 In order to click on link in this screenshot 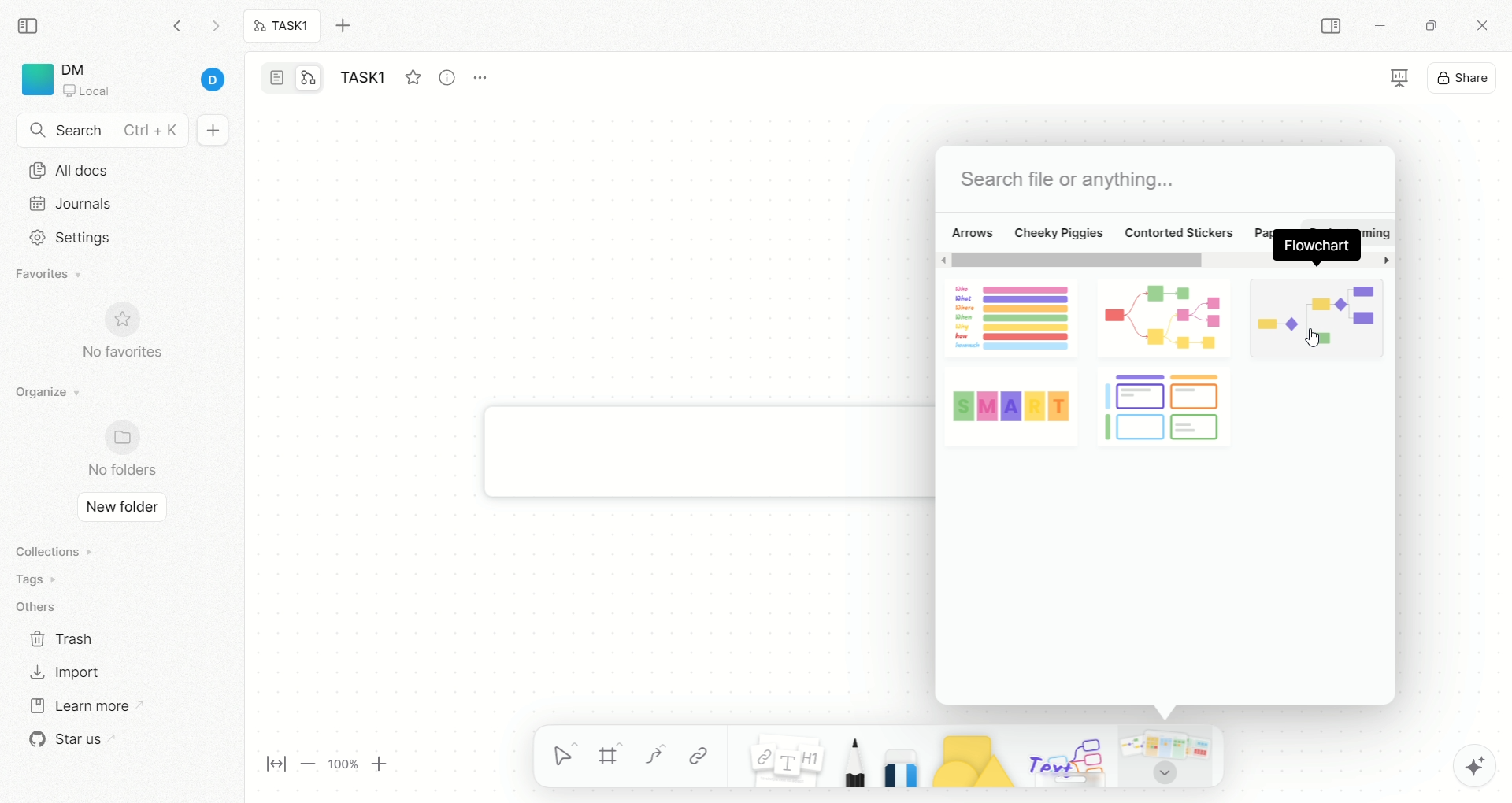, I will do `click(699, 756)`.